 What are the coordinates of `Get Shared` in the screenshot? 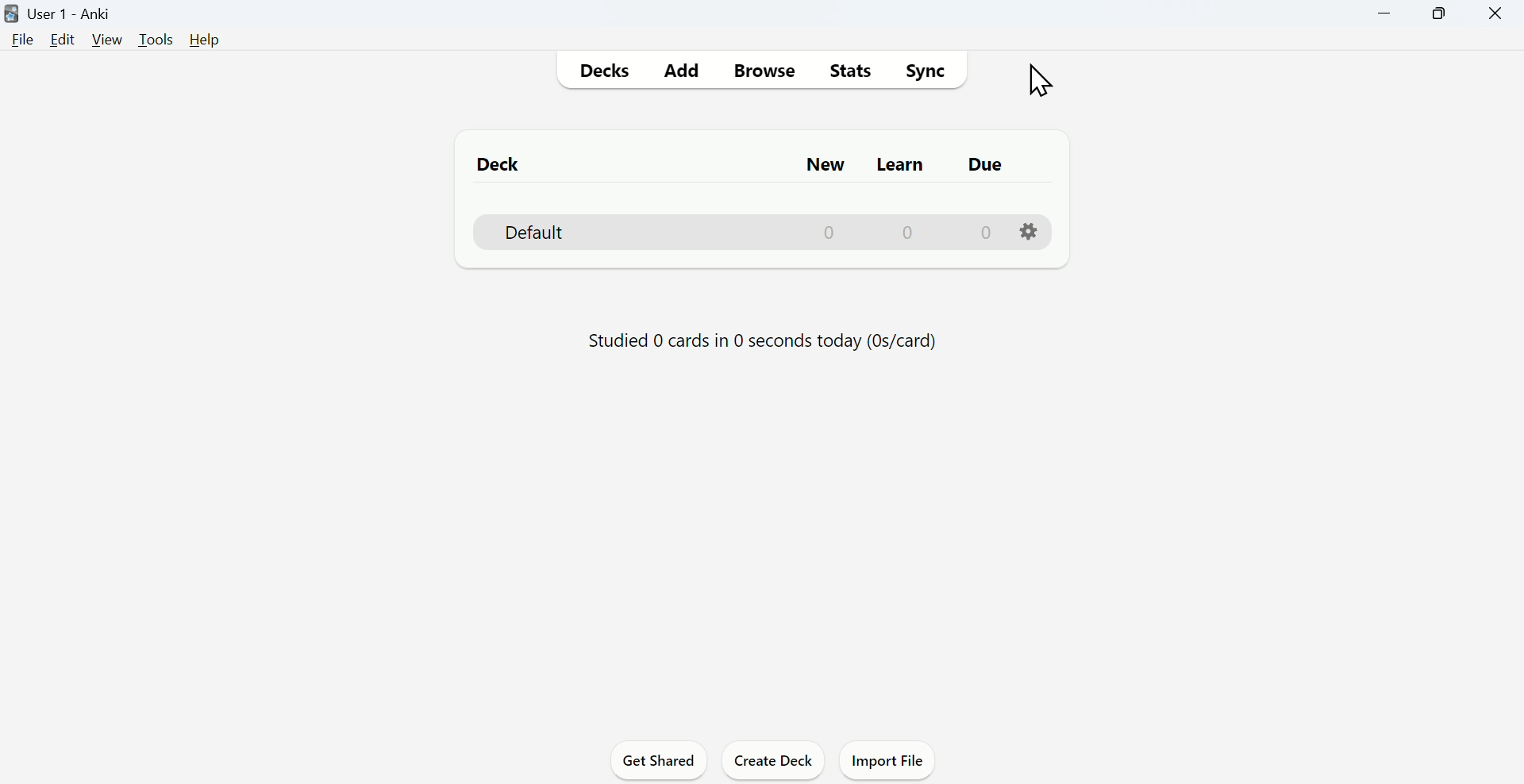 It's located at (657, 762).